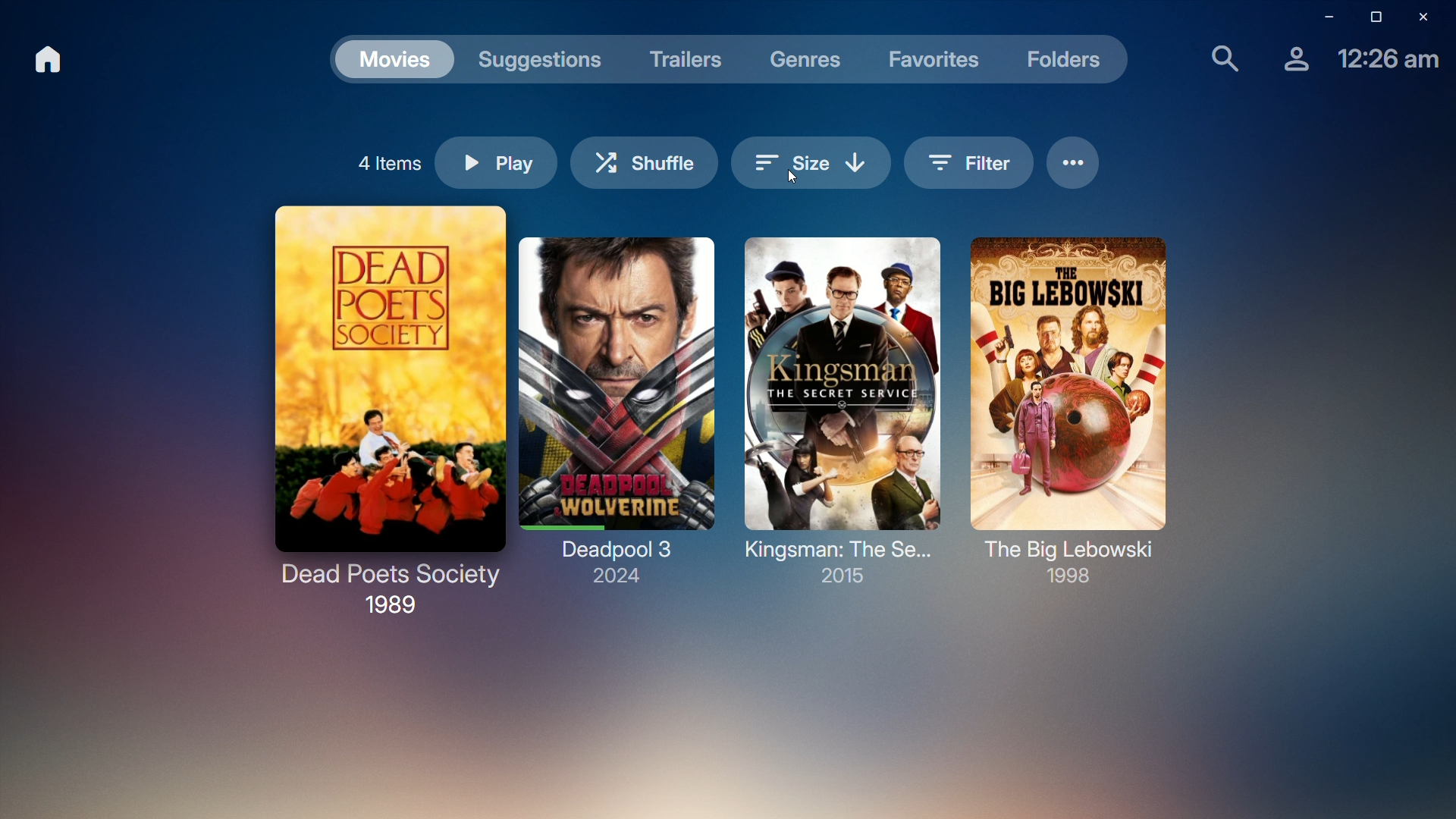  What do you see at coordinates (1216, 61) in the screenshot?
I see `Find` at bounding box center [1216, 61].